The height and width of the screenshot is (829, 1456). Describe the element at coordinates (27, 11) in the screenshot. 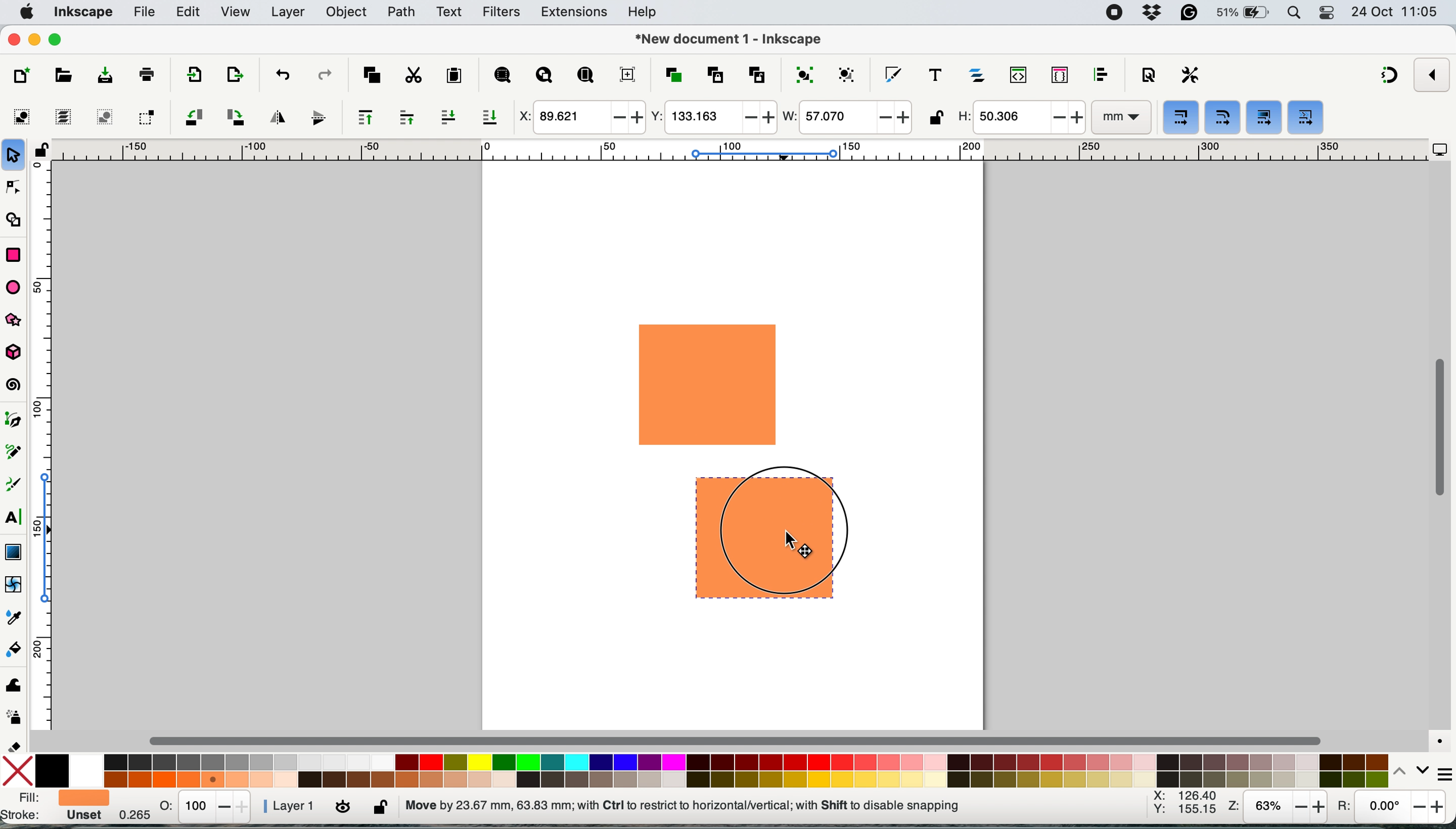

I see `system logo` at that location.